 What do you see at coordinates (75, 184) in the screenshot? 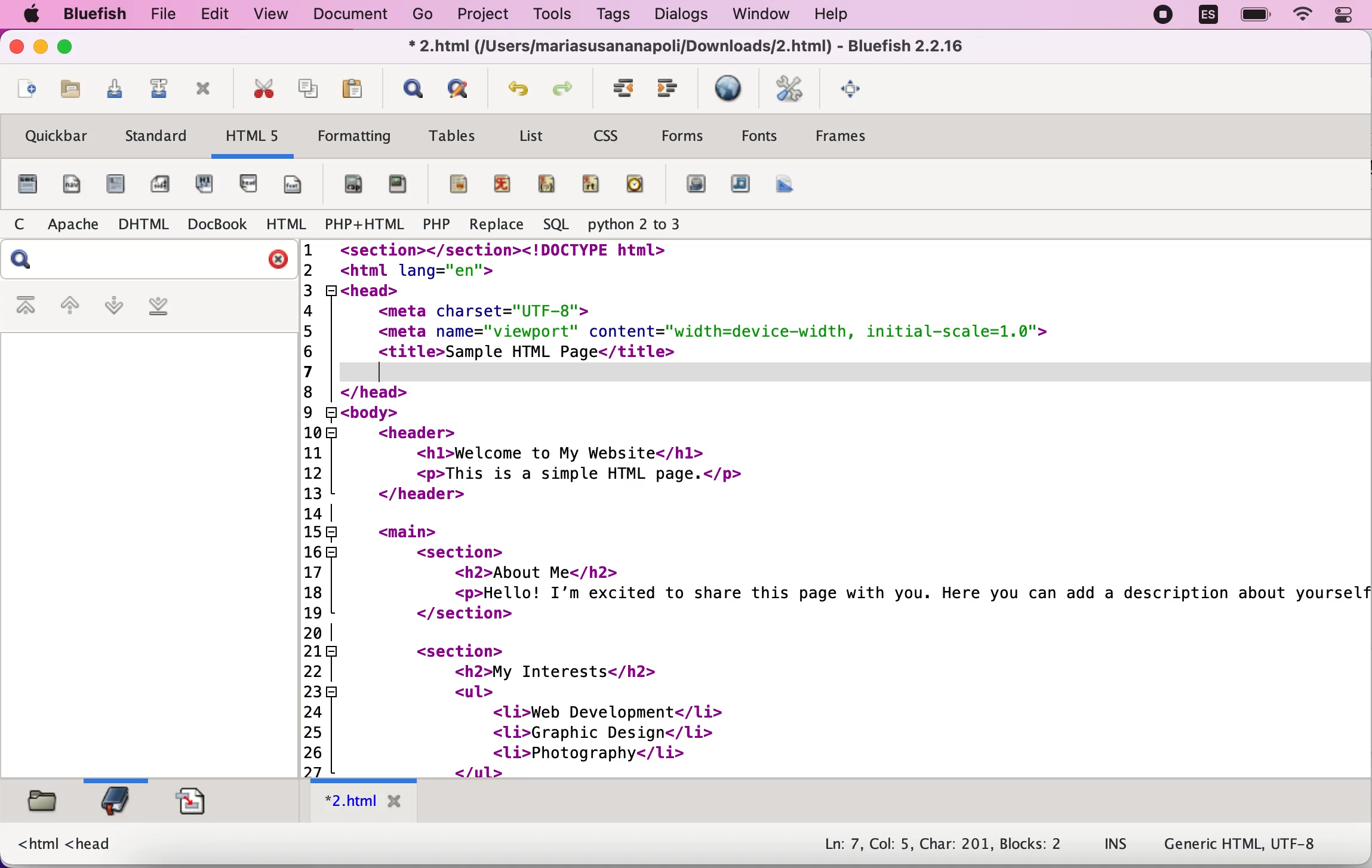
I see `nav` at bounding box center [75, 184].